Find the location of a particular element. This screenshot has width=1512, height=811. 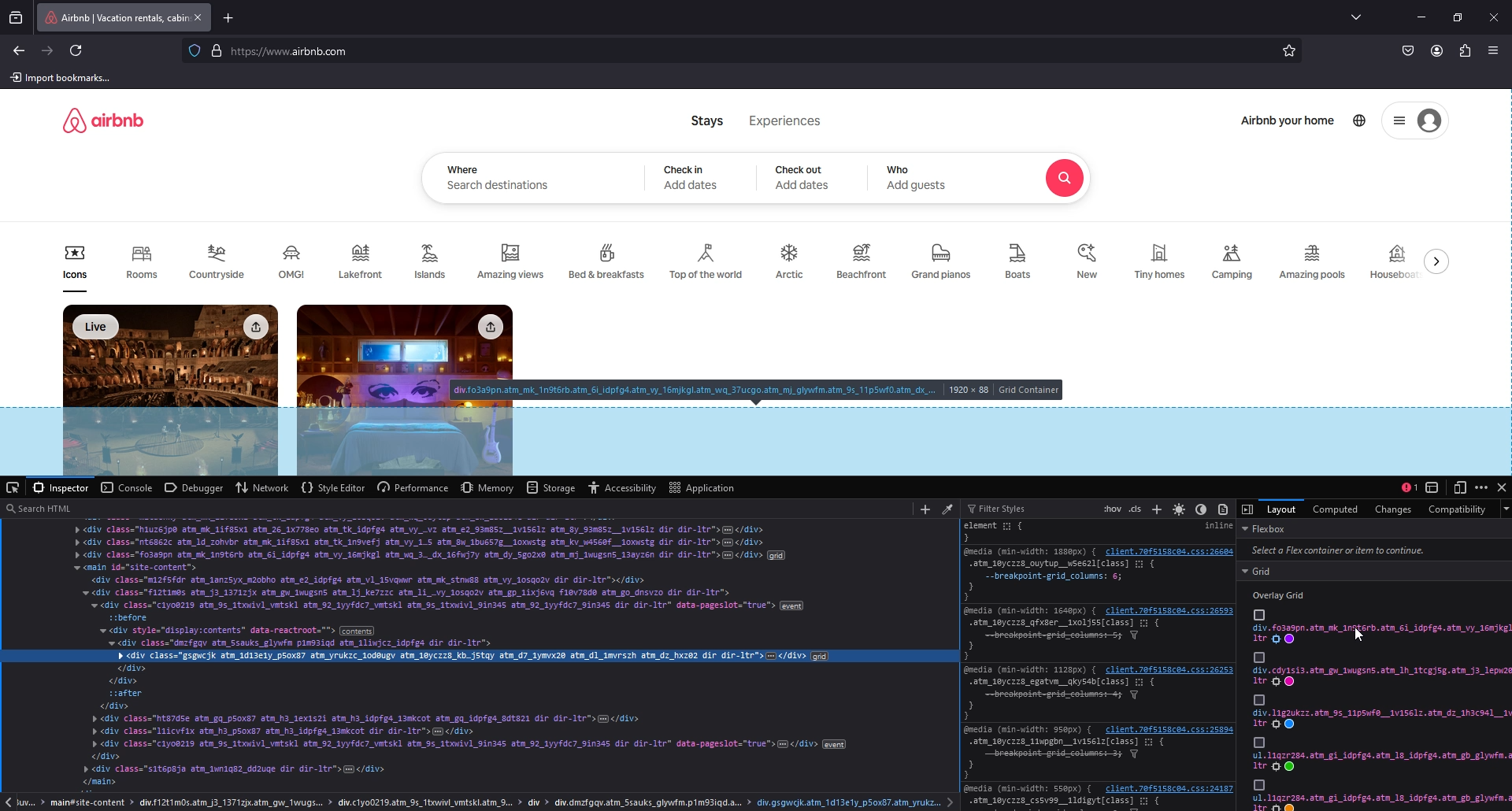

where is located at coordinates (463, 169).